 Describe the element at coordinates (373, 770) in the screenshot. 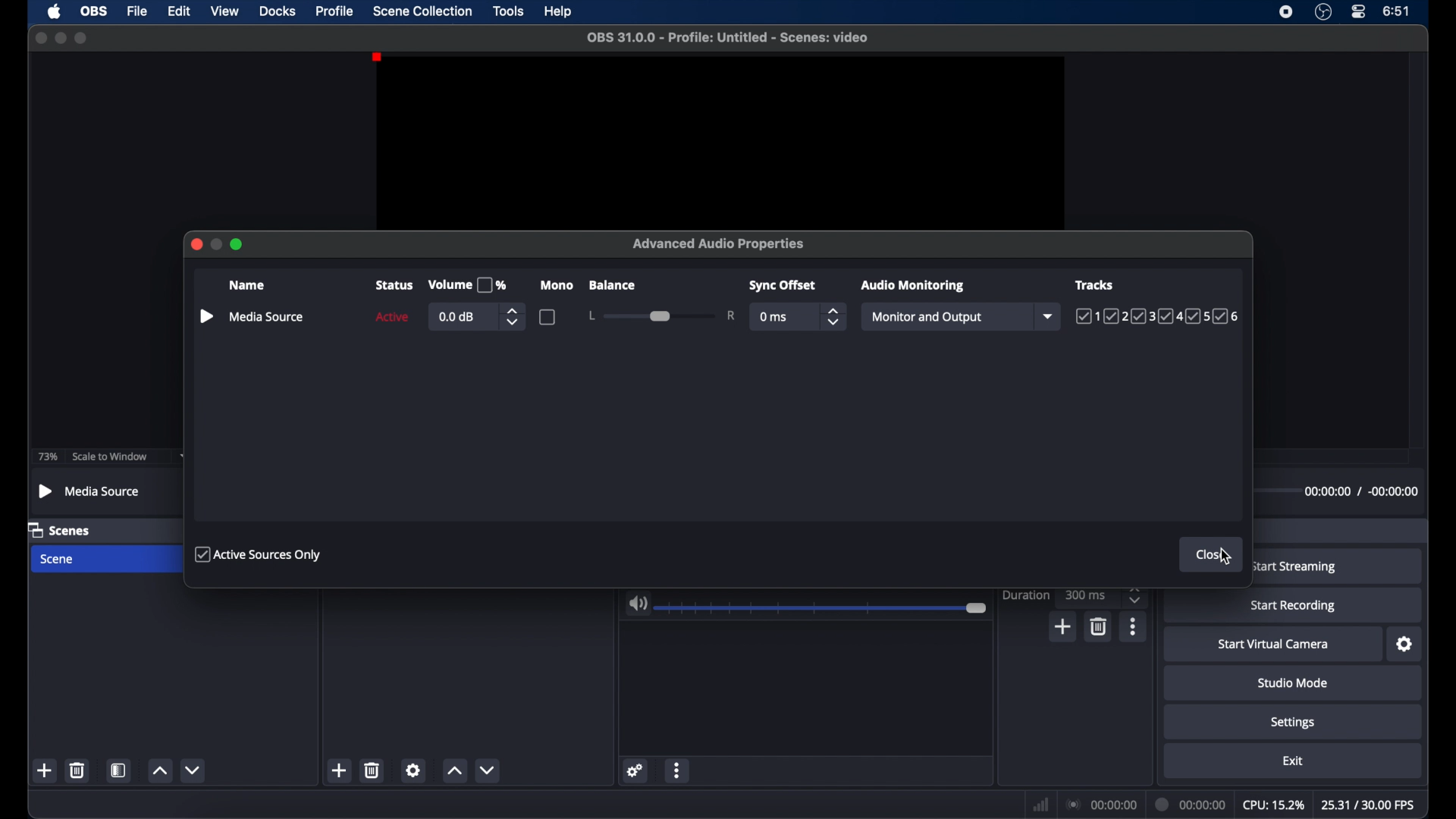

I see `delete` at that location.